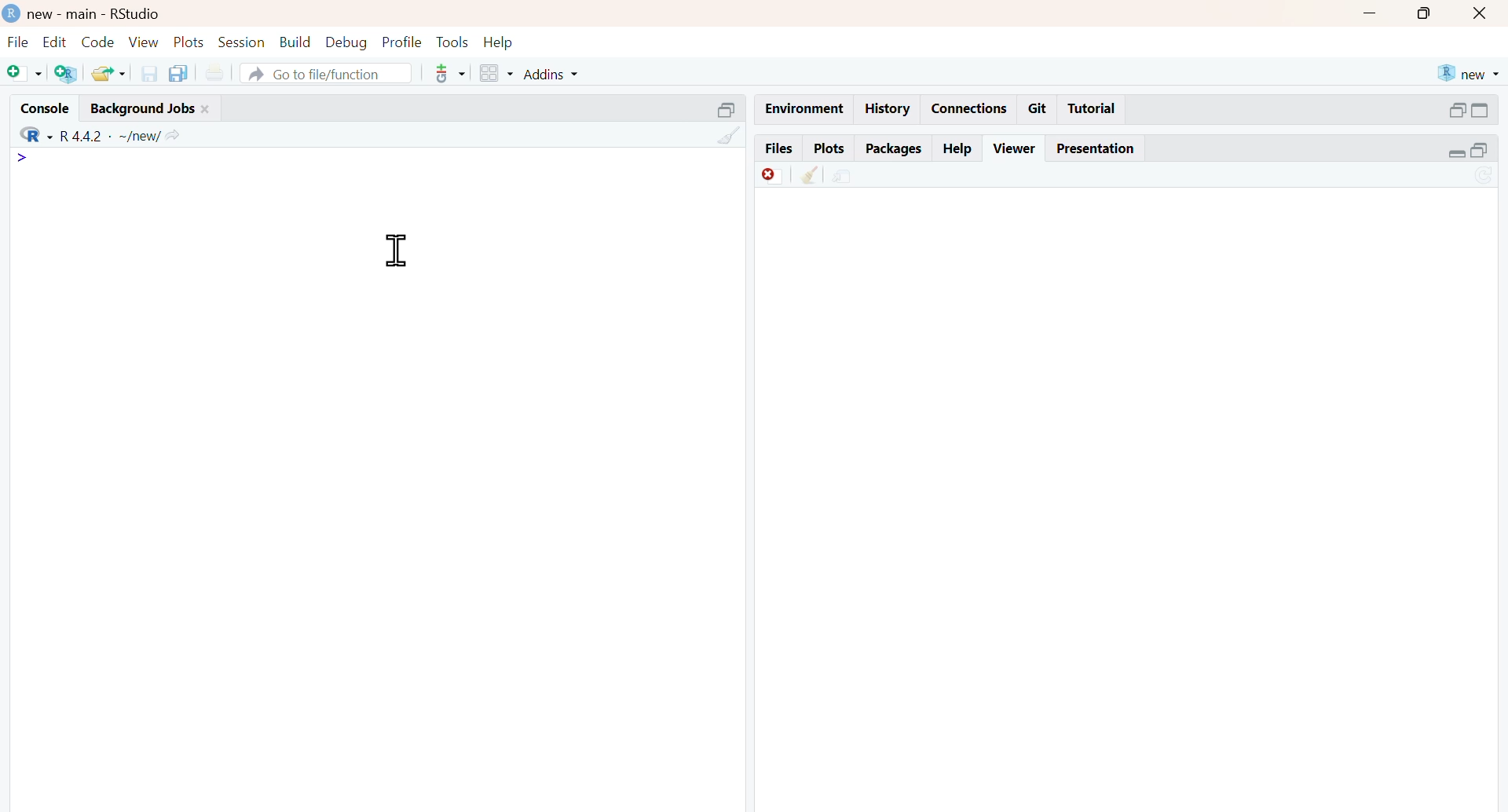 The height and width of the screenshot is (812, 1508). I want to click on plots, so click(829, 149).